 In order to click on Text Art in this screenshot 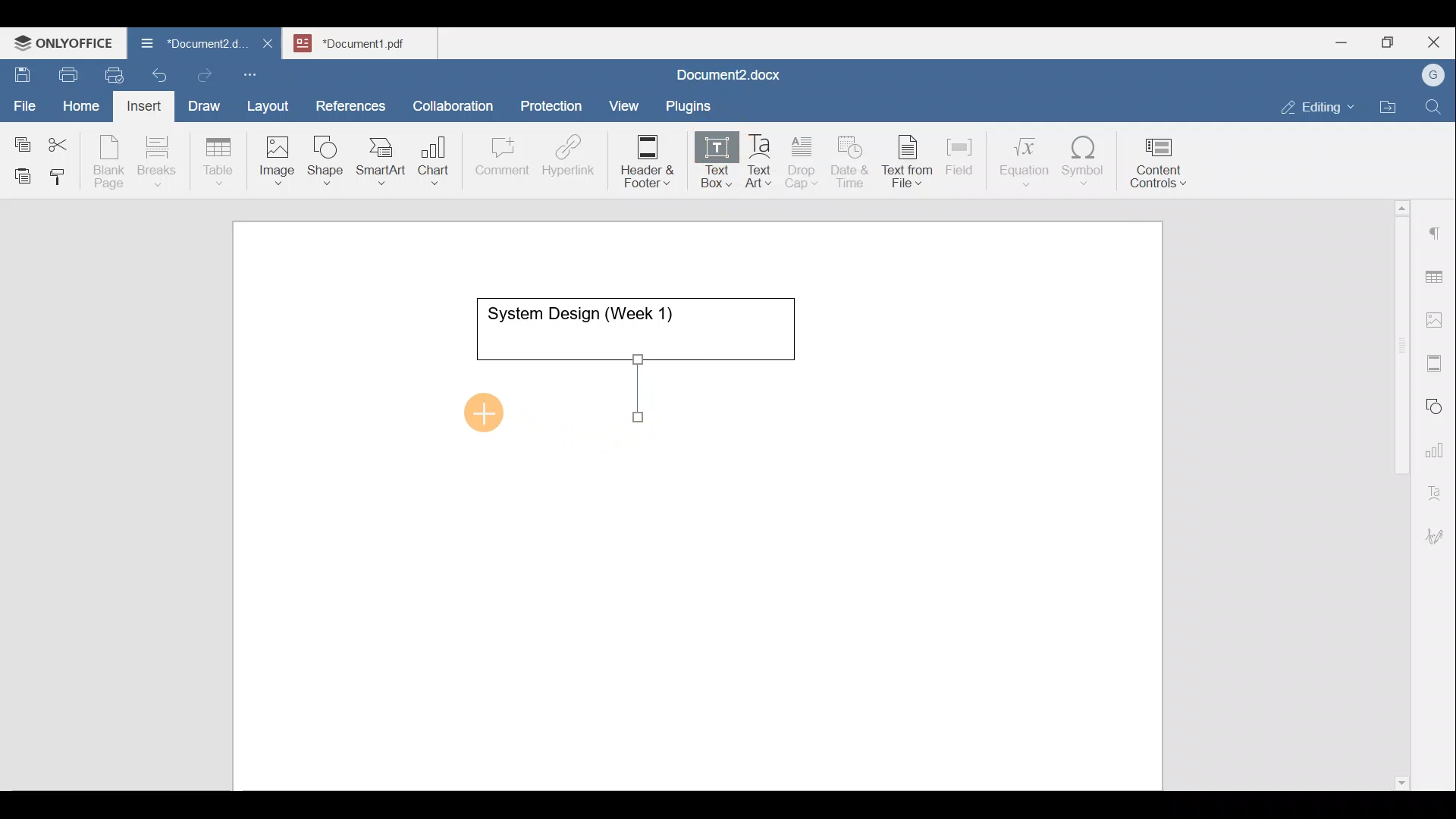, I will do `click(760, 162)`.